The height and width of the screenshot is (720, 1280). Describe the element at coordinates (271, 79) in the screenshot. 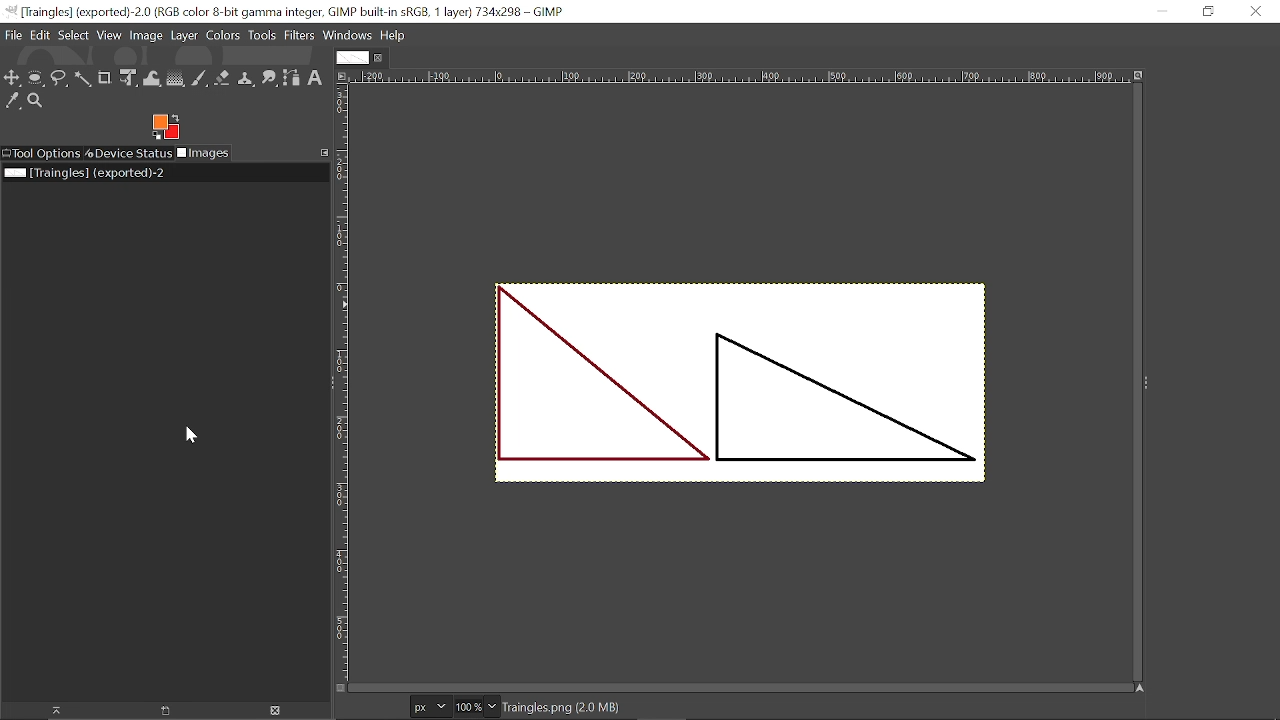

I see `Smudge tool` at that location.